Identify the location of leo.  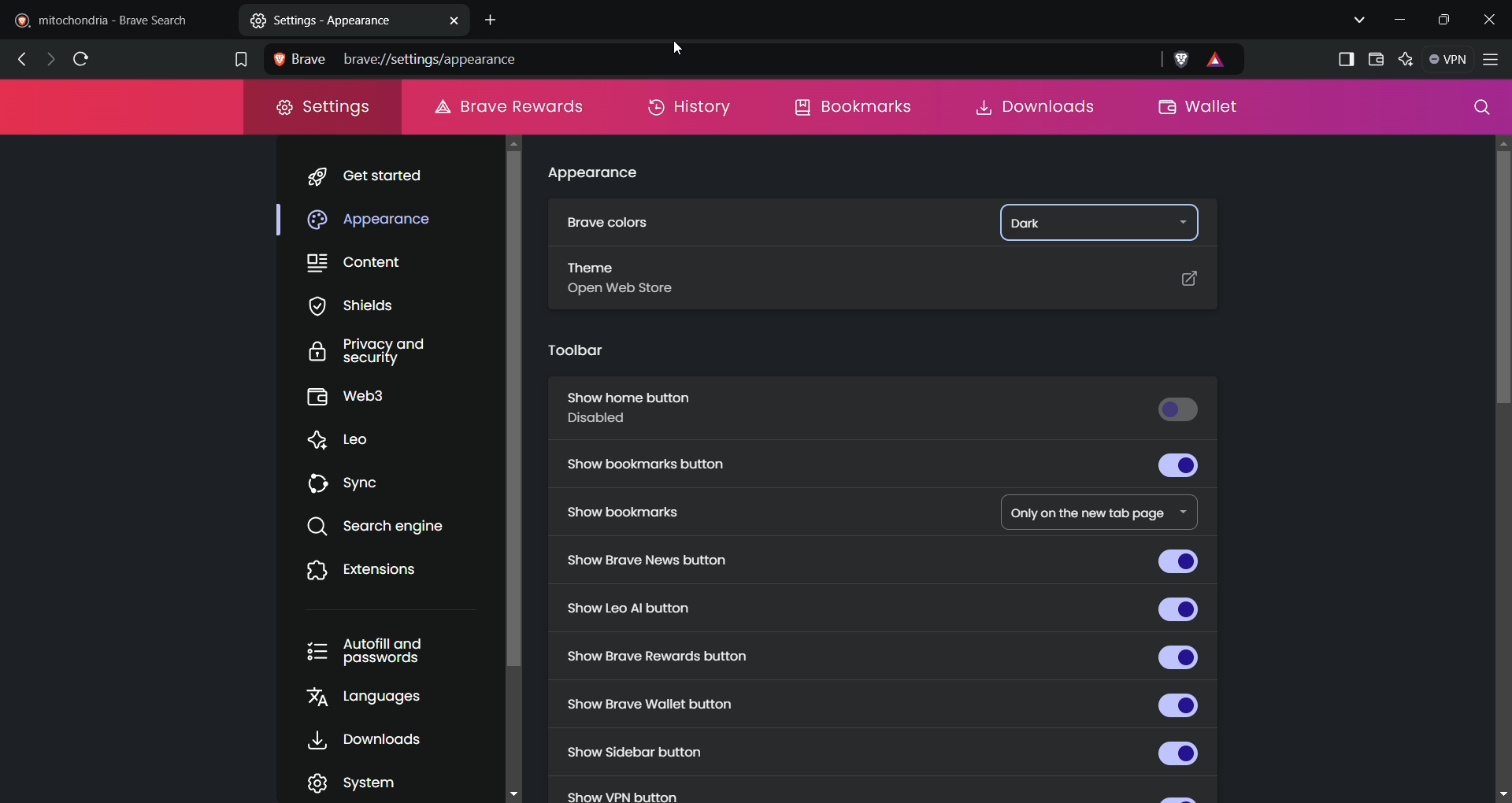
(348, 439).